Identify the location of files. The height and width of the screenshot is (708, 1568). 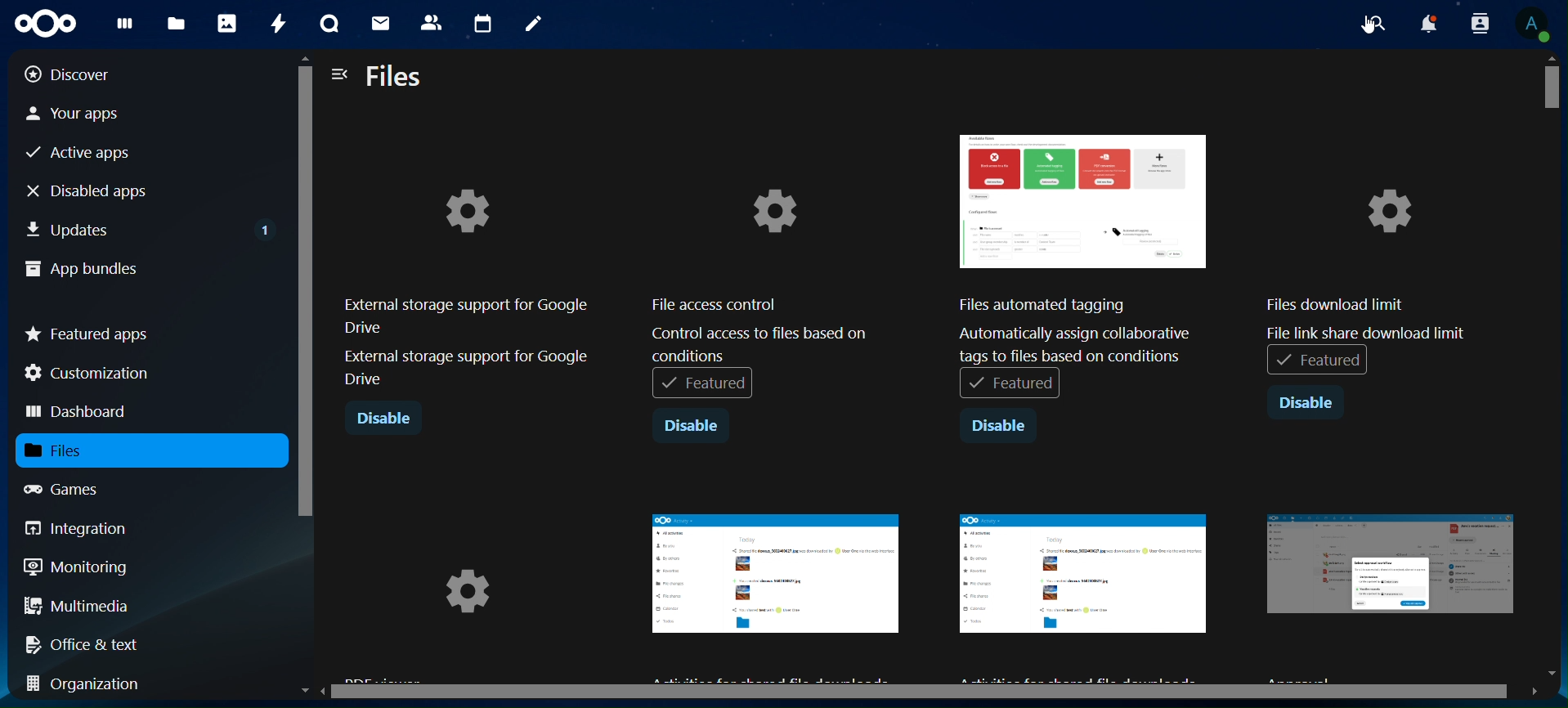
(396, 78).